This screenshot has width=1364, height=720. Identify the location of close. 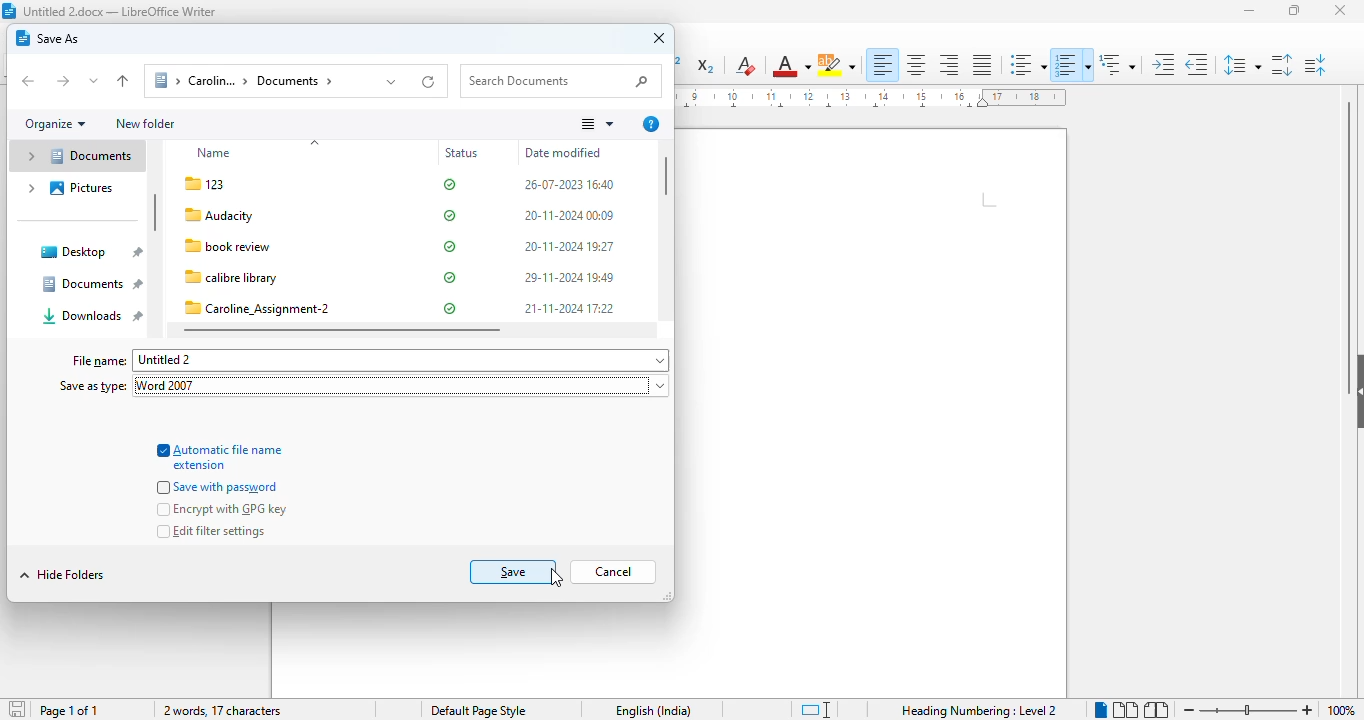
(660, 39).